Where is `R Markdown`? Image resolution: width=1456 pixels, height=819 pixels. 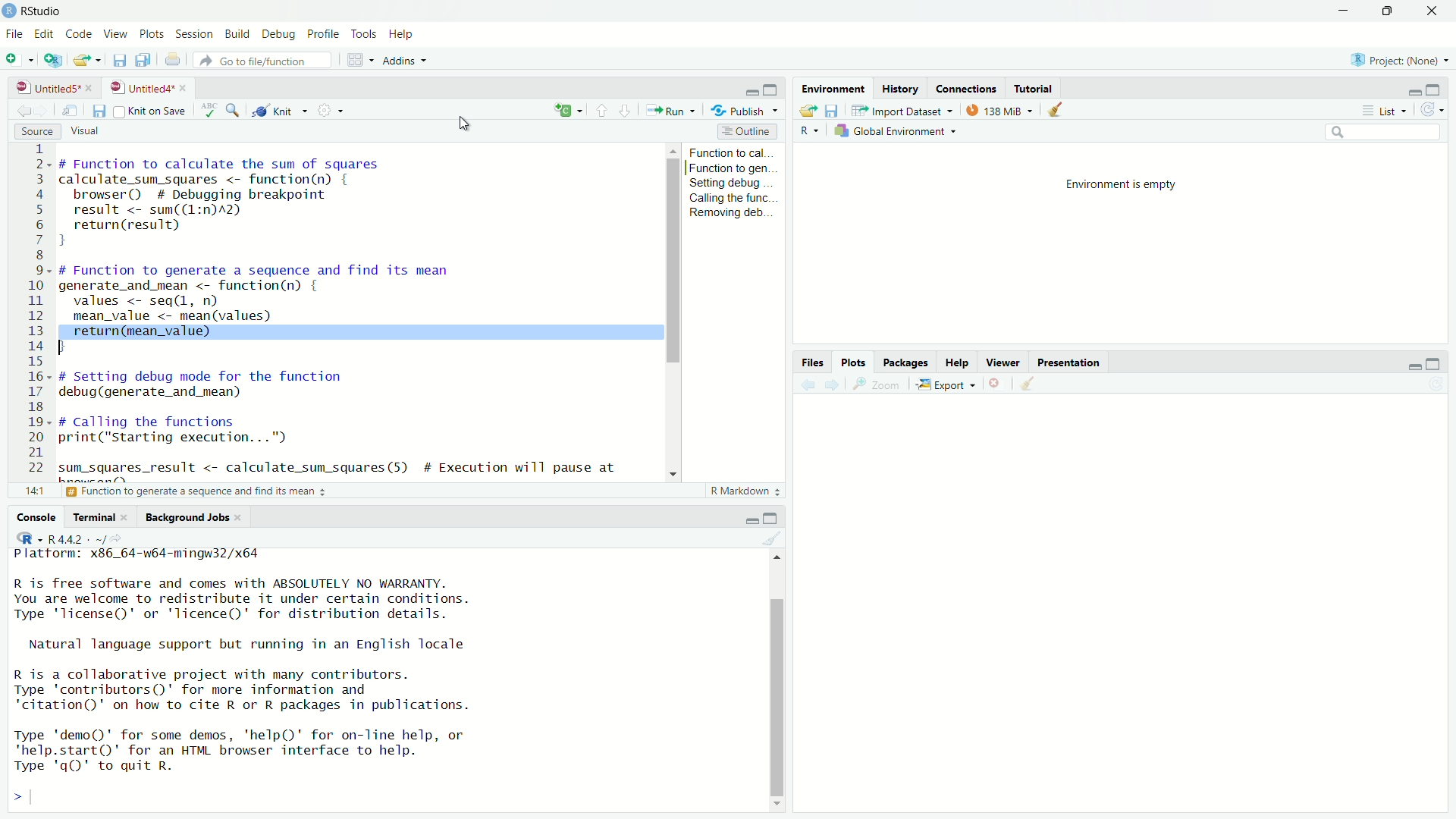 R Markdown is located at coordinates (741, 488).